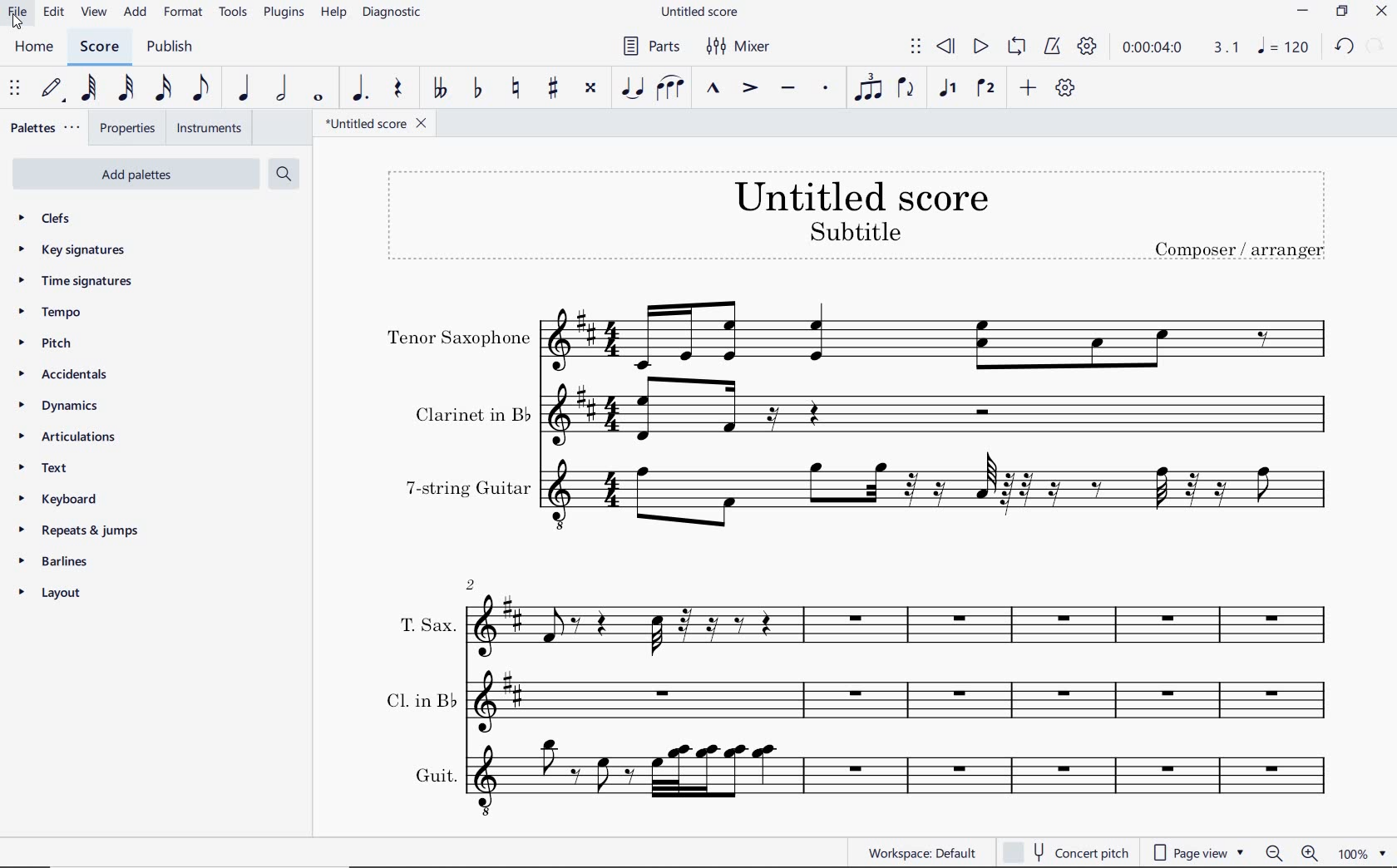  Describe the element at coordinates (318, 98) in the screenshot. I see `WHOLE NOTE` at that location.